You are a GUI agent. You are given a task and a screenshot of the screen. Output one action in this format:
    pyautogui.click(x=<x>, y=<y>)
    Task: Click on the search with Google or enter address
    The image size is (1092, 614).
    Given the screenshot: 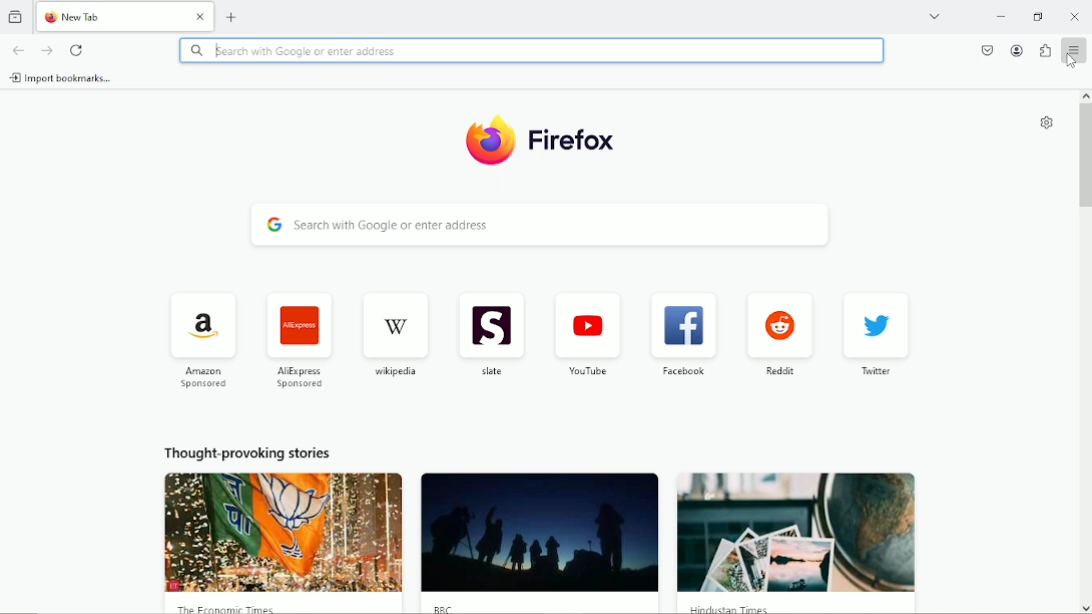 What is the action you would take?
    pyautogui.click(x=533, y=226)
    